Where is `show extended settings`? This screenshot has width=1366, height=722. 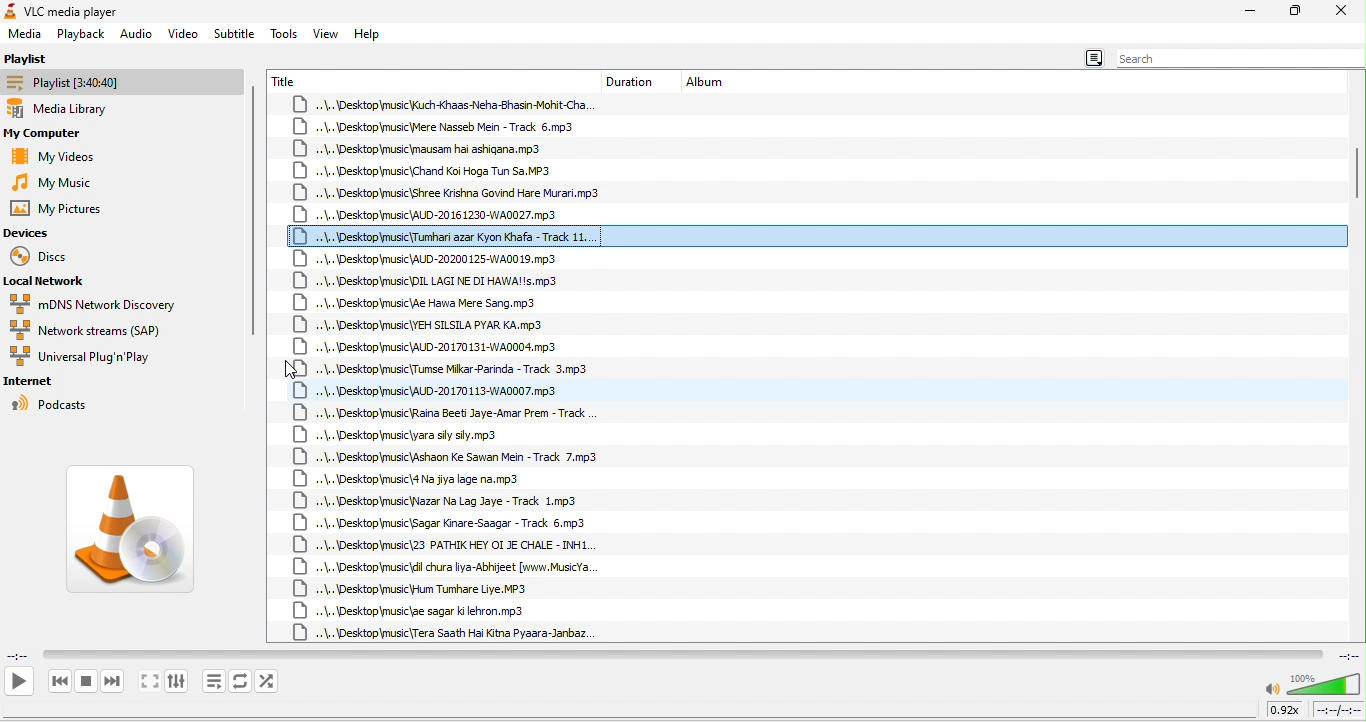 show extended settings is located at coordinates (176, 682).